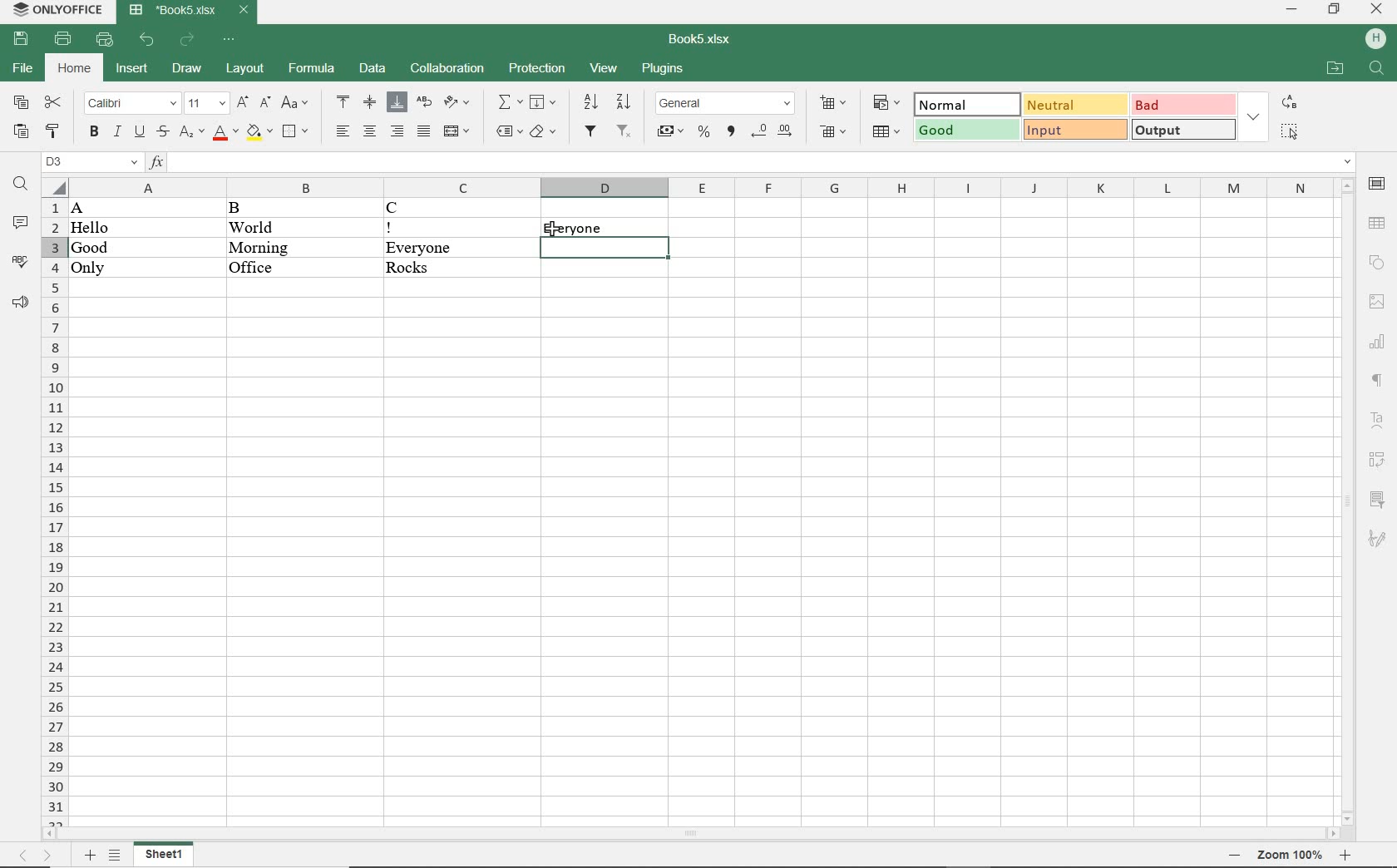  Describe the element at coordinates (1378, 68) in the screenshot. I see `find` at that location.